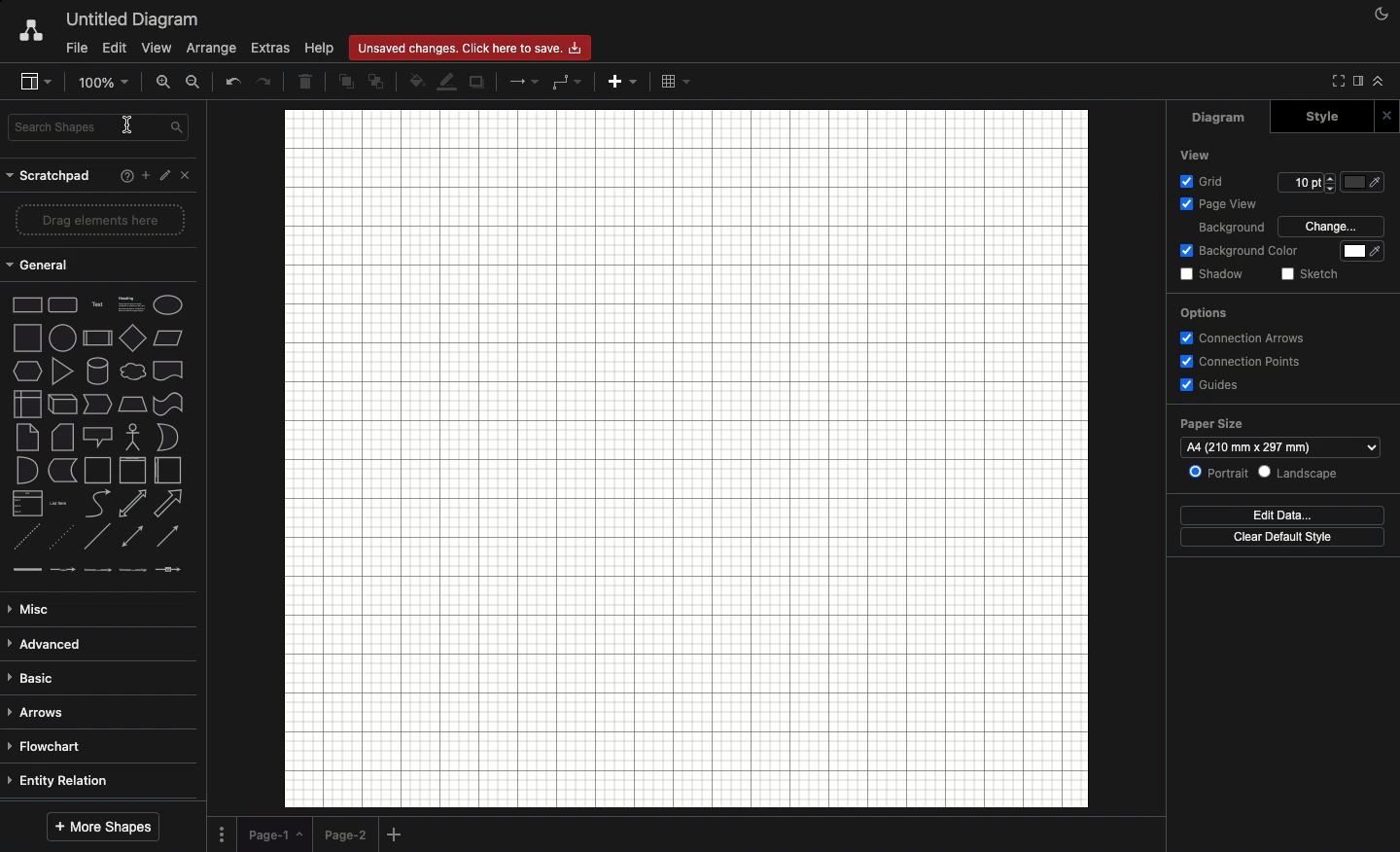  Describe the element at coordinates (102, 828) in the screenshot. I see `More shapes` at that location.